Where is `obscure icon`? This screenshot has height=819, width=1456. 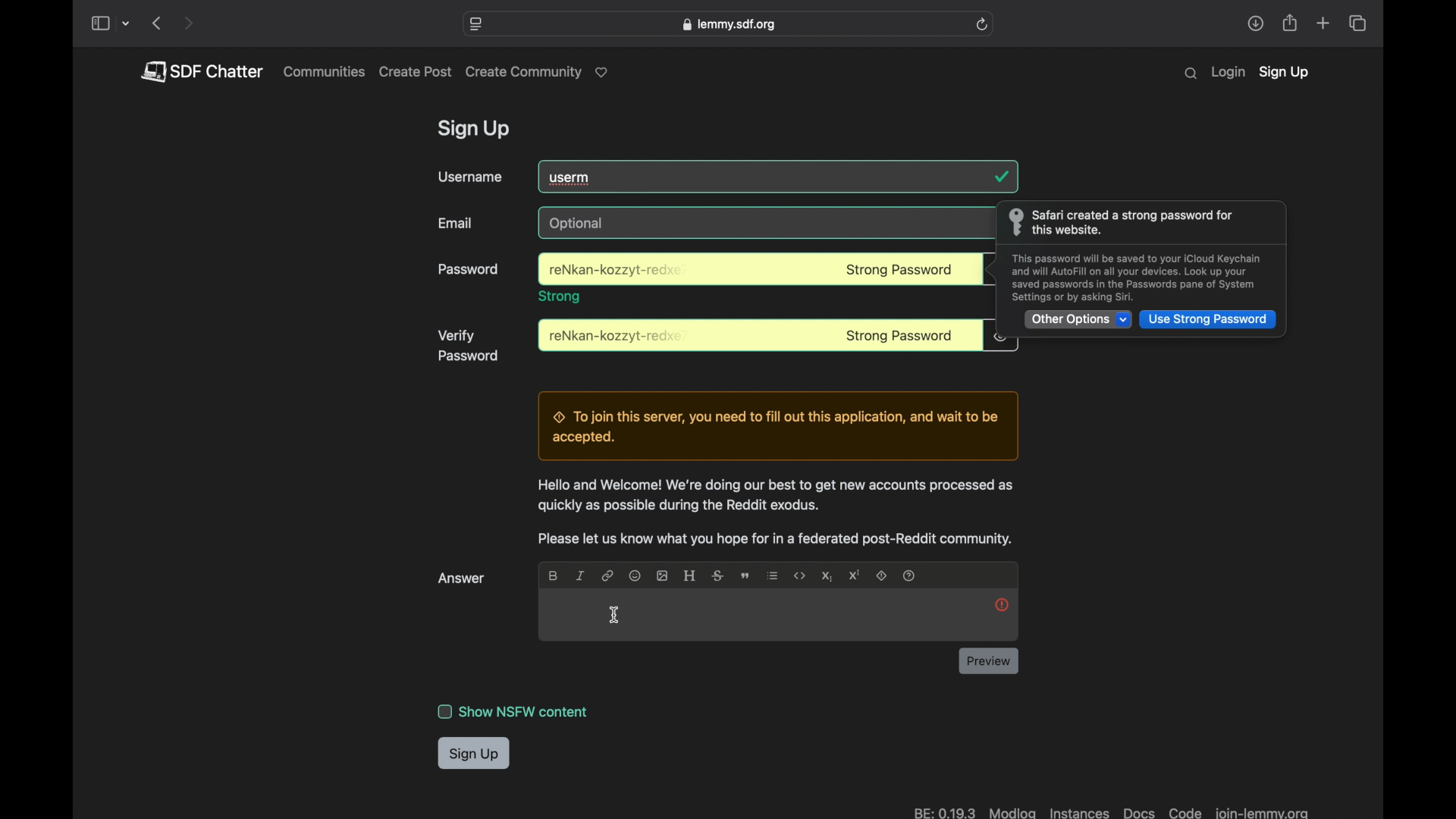
obscure icon is located at coordinates (1000, 335).